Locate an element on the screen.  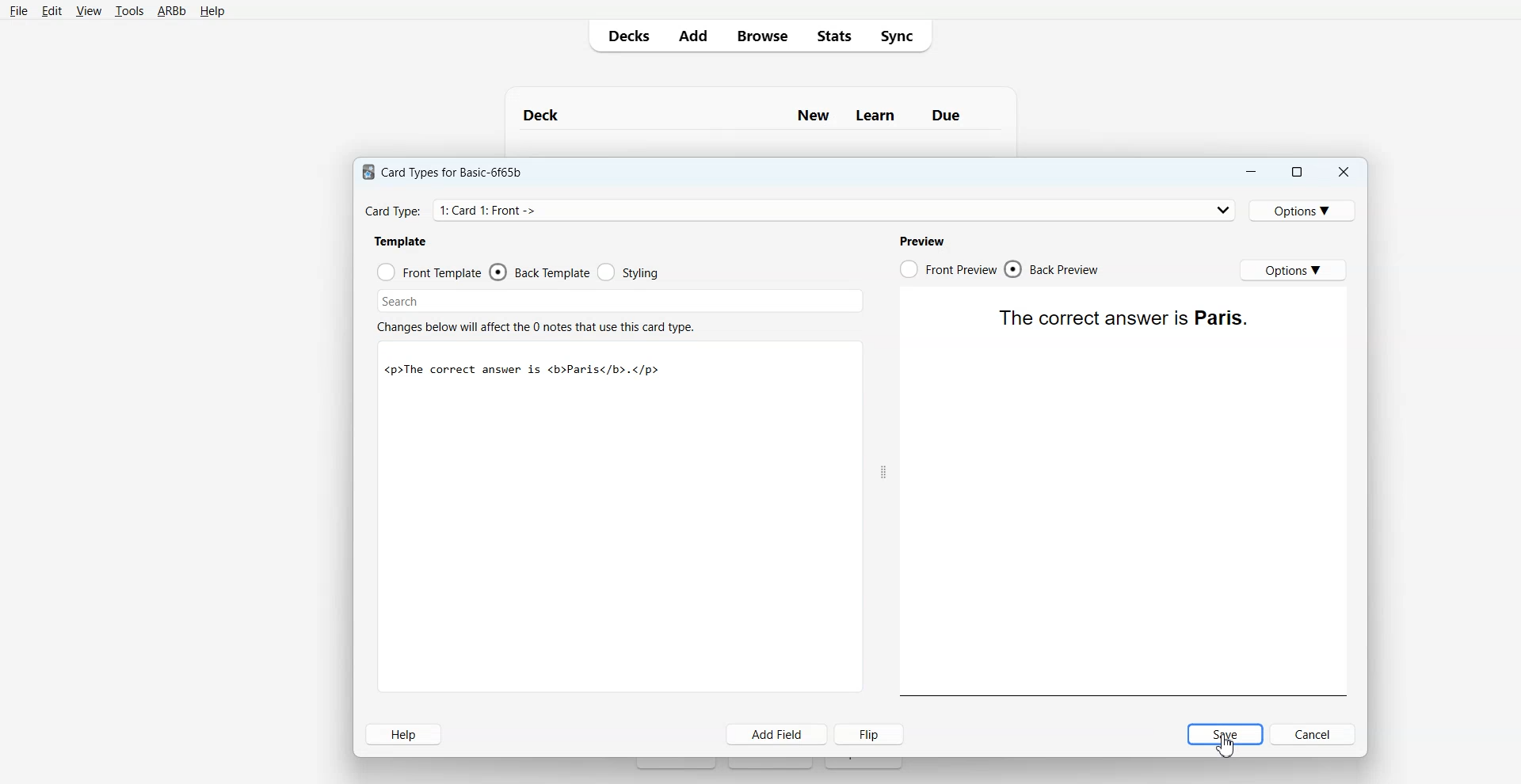
Drag handle is located at coordinates (883, 472).